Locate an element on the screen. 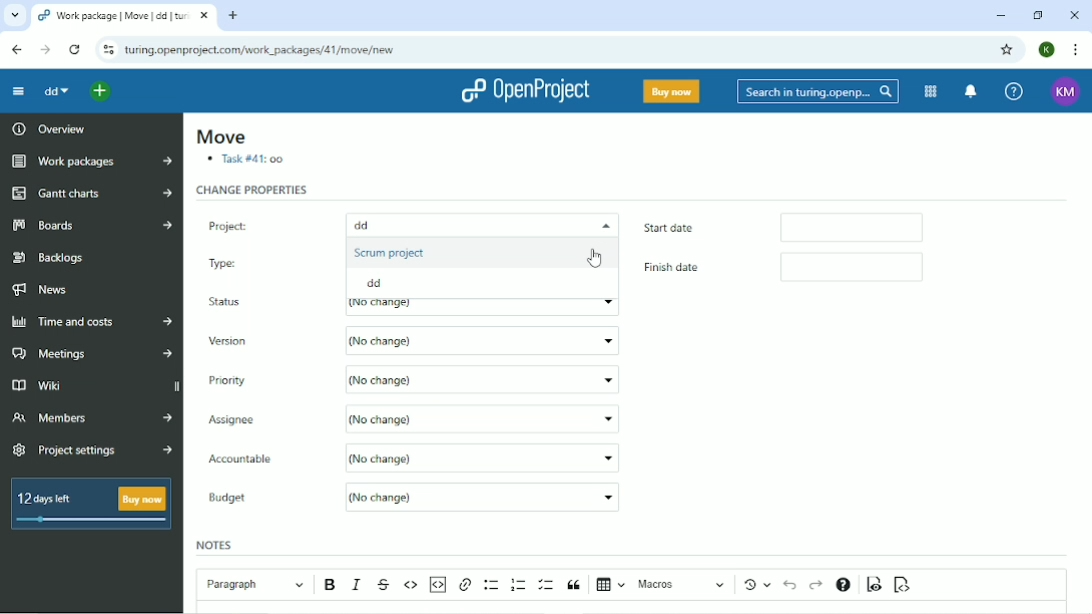 The height and width of the screenshot is (614, 1092). (No change) is located at coordinates (482, 417).